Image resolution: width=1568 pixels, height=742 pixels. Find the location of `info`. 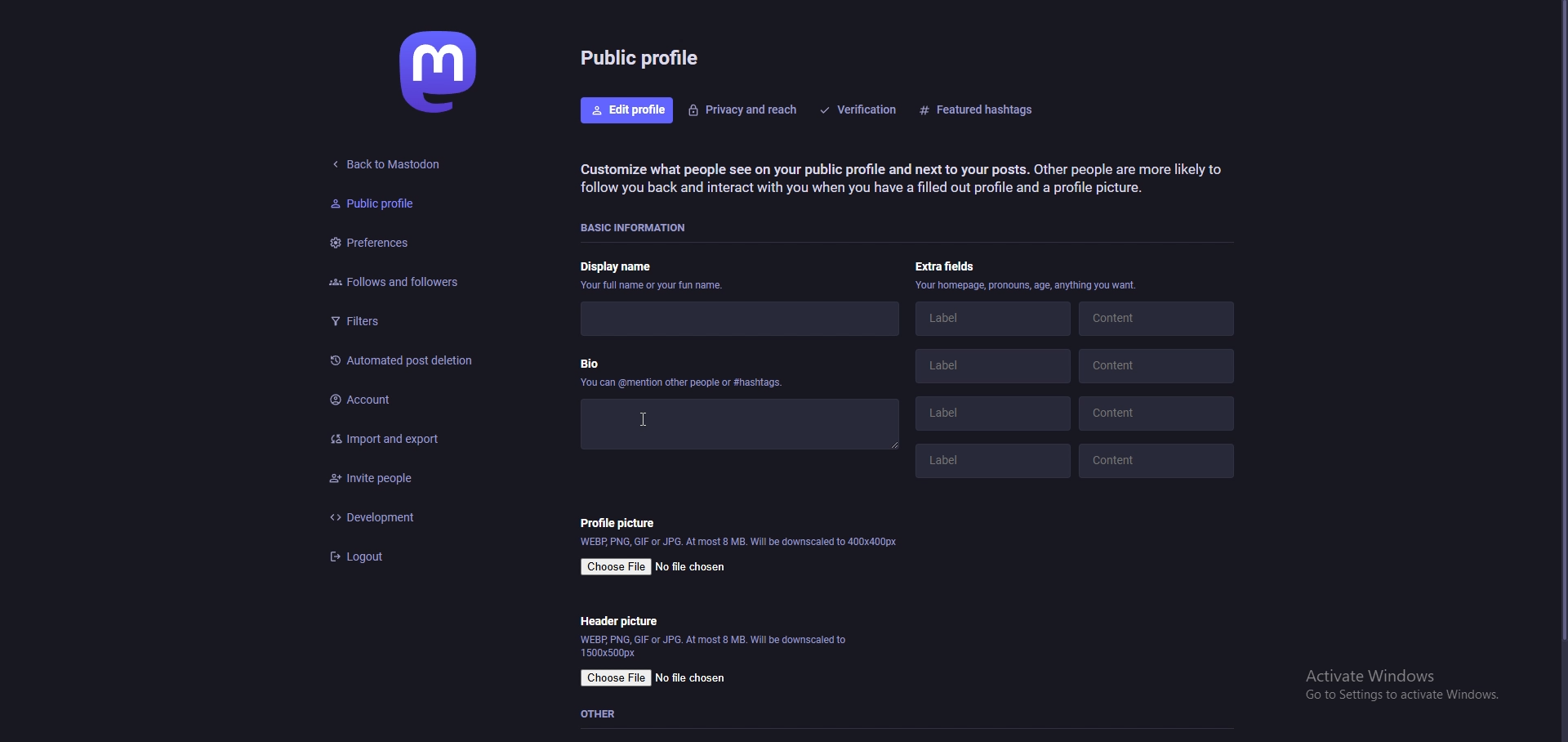

info is located at coordinates (739, 541).